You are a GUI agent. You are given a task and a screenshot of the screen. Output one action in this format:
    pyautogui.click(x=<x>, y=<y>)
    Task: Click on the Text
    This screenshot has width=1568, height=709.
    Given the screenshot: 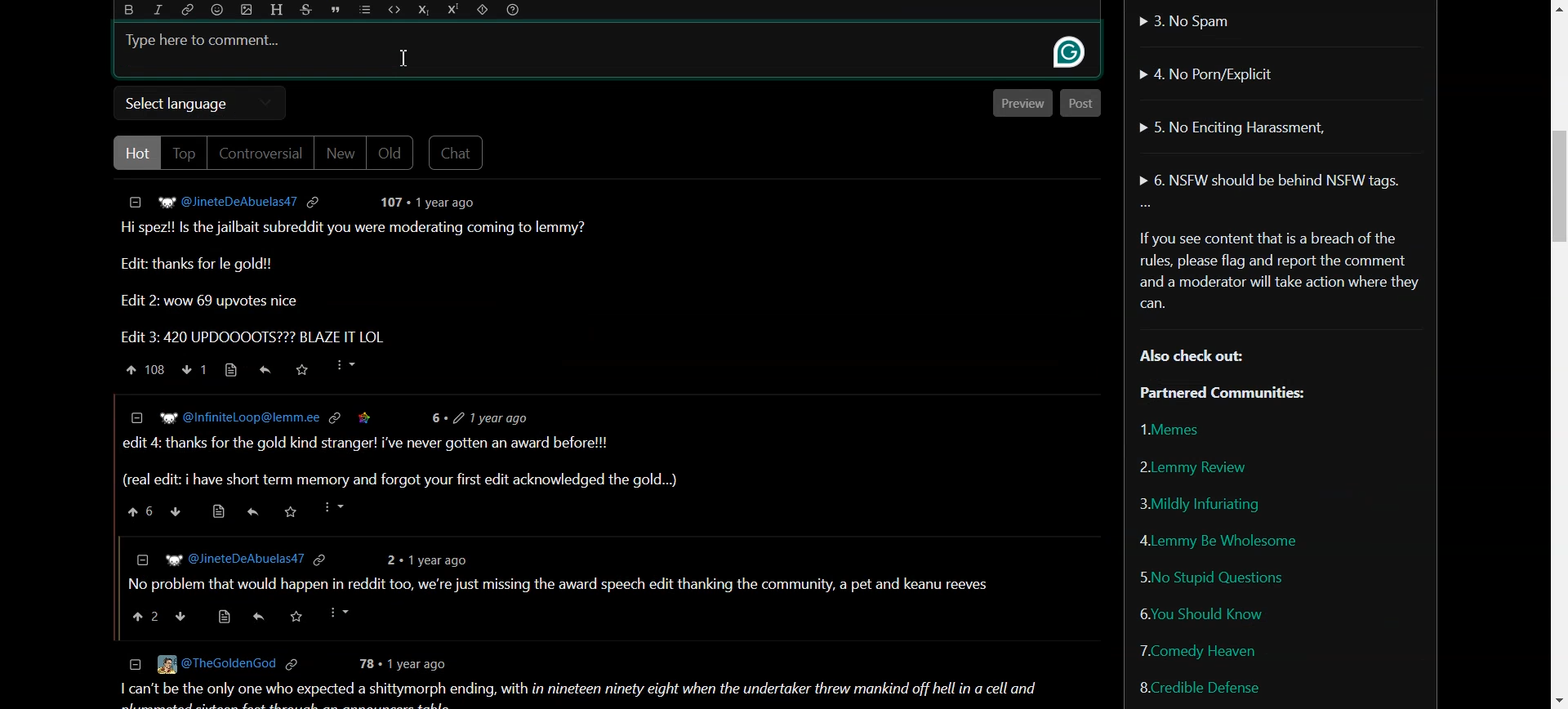 What is the action you would take?
    pyautogui.click(x=344, y=230)
    